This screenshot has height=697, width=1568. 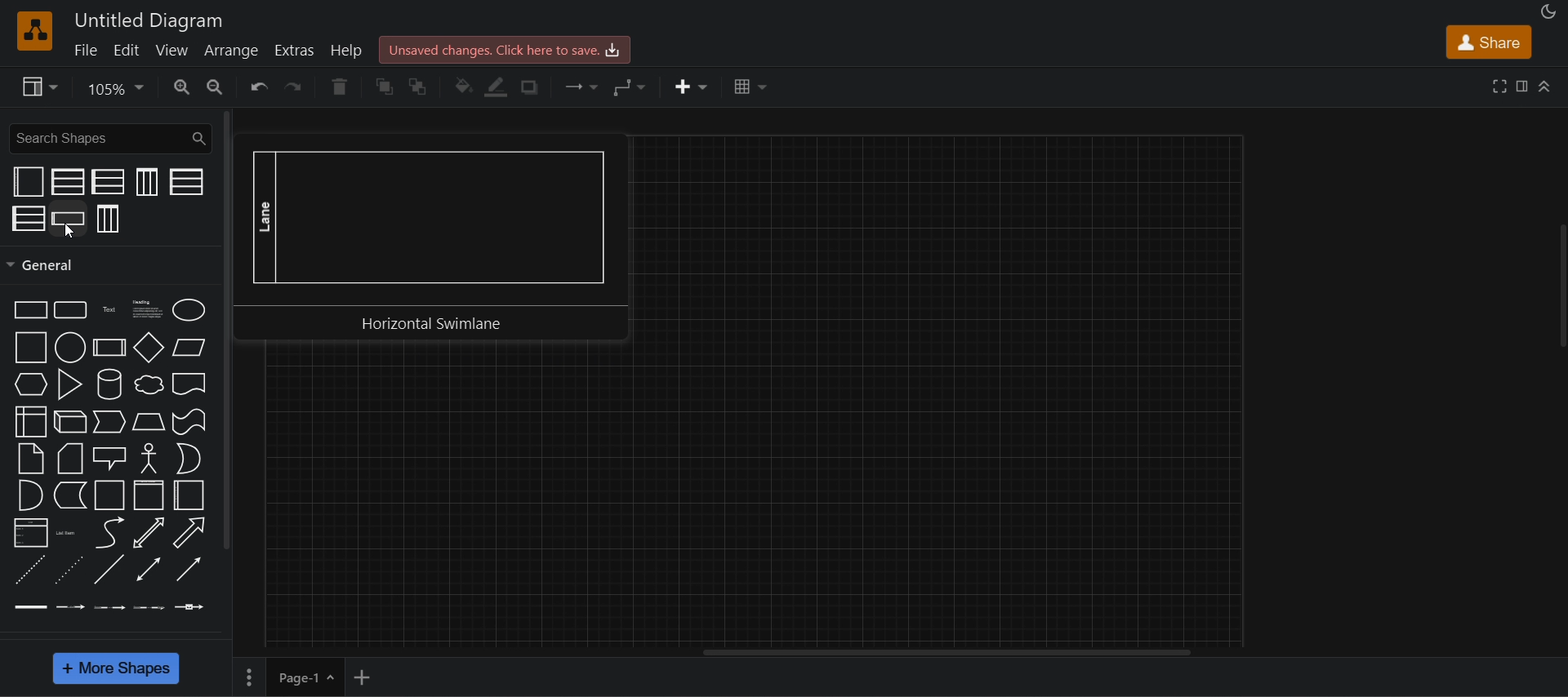 What do you see at coordinates (434, 238) in the screenshot?
I see `horizontal swimlane` at bounding box center [434, 238].